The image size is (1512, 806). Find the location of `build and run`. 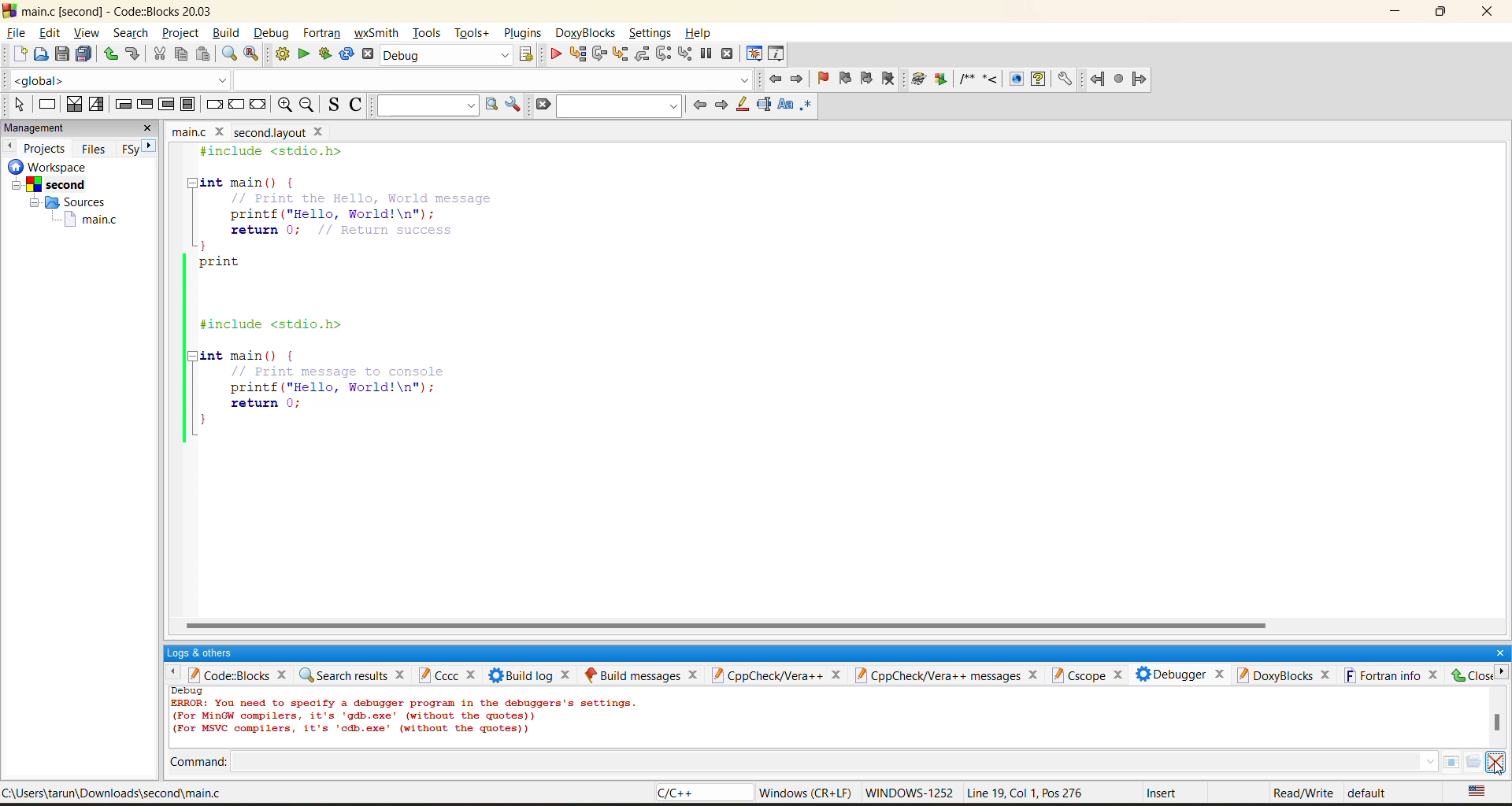

build and run is located at coordinates (324, 53).